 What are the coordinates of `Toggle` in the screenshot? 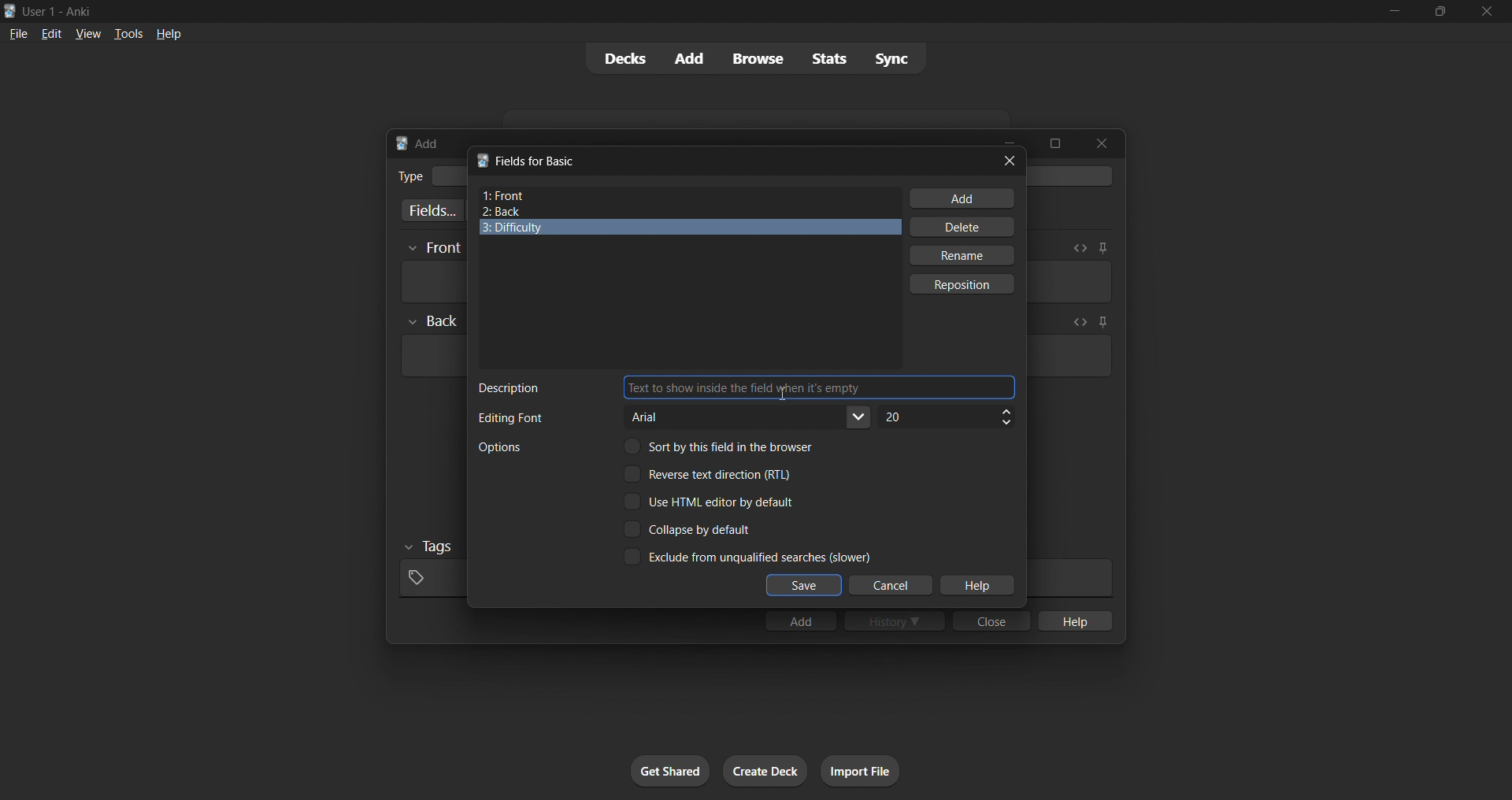 It's located at (710, 502).